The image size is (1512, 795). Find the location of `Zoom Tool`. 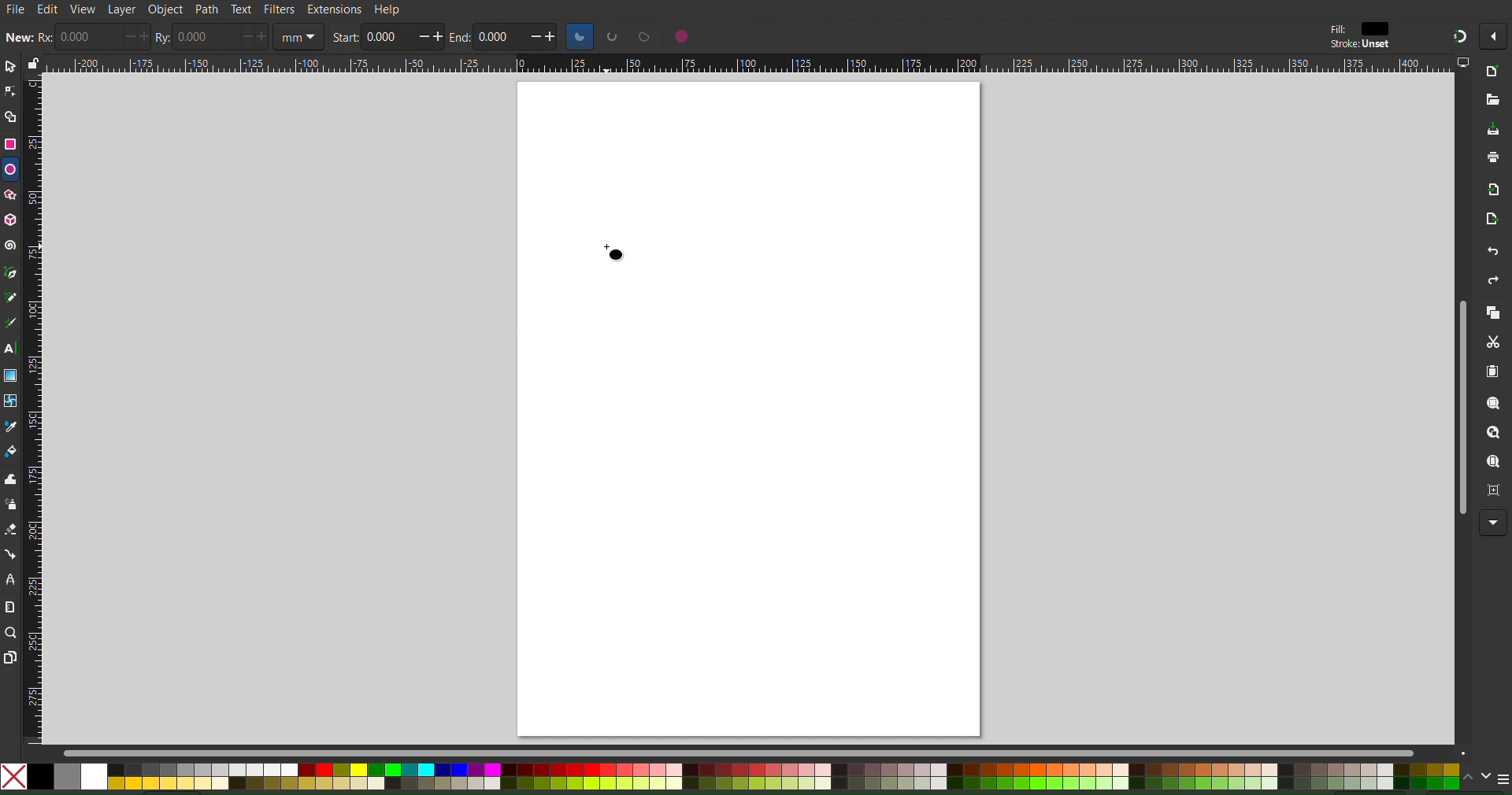

Zoom Tool is located at coordinates (9, 631).